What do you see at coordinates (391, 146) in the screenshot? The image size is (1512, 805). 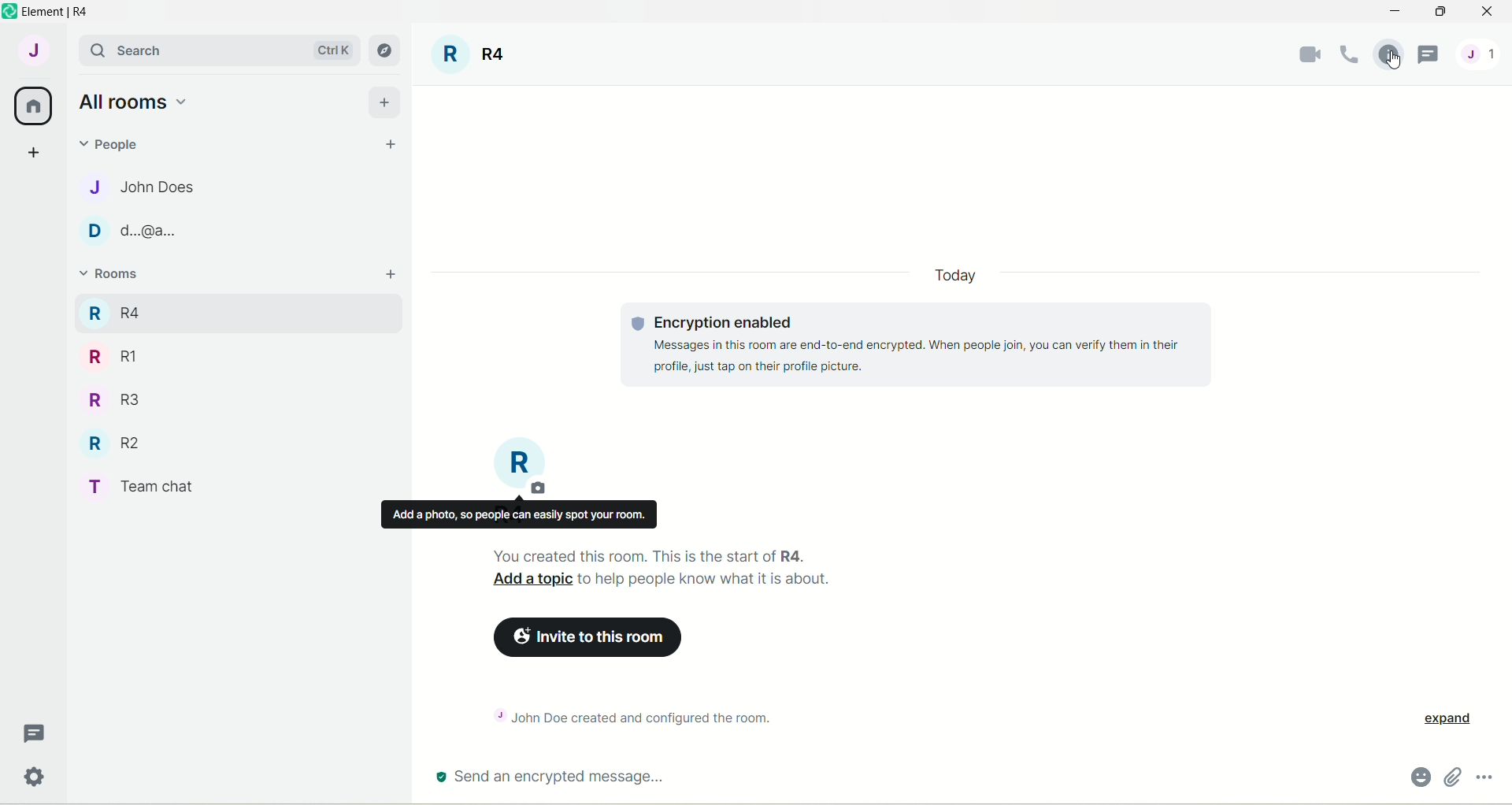 I see `start chat` at bounding box center [391, 146].